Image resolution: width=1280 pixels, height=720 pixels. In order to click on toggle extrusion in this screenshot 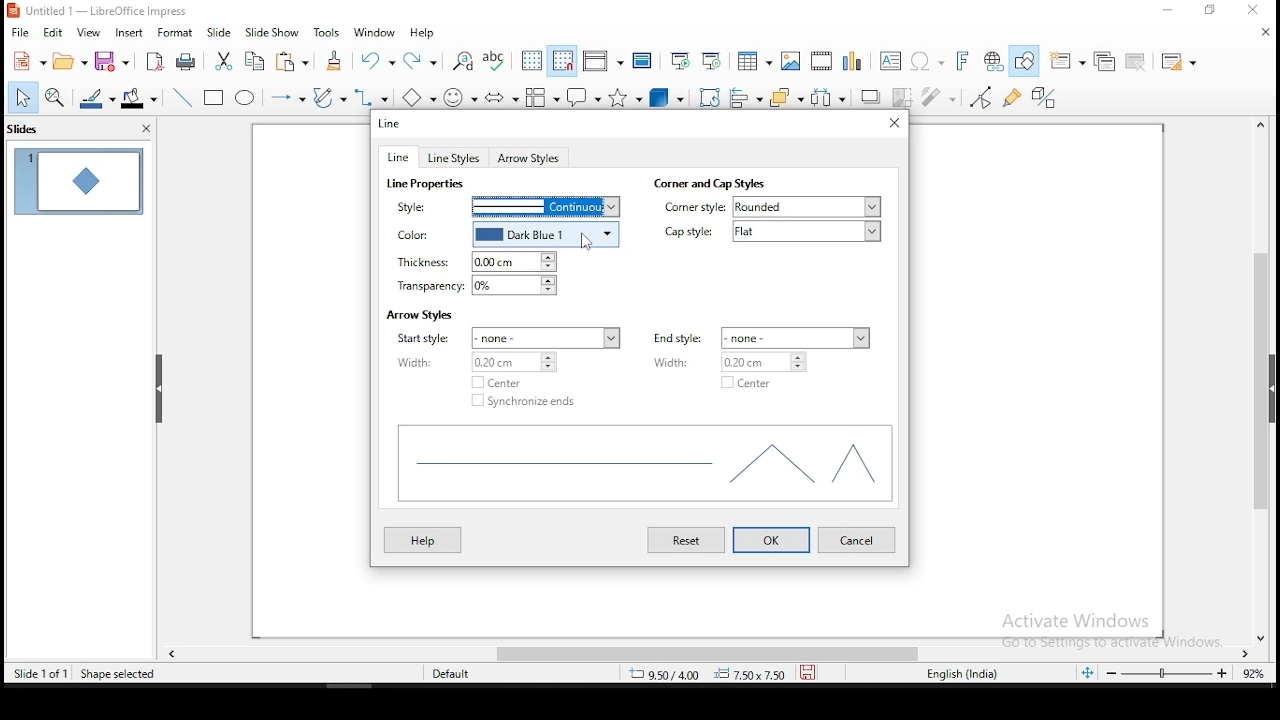, I will do `click(1045, 99)`.